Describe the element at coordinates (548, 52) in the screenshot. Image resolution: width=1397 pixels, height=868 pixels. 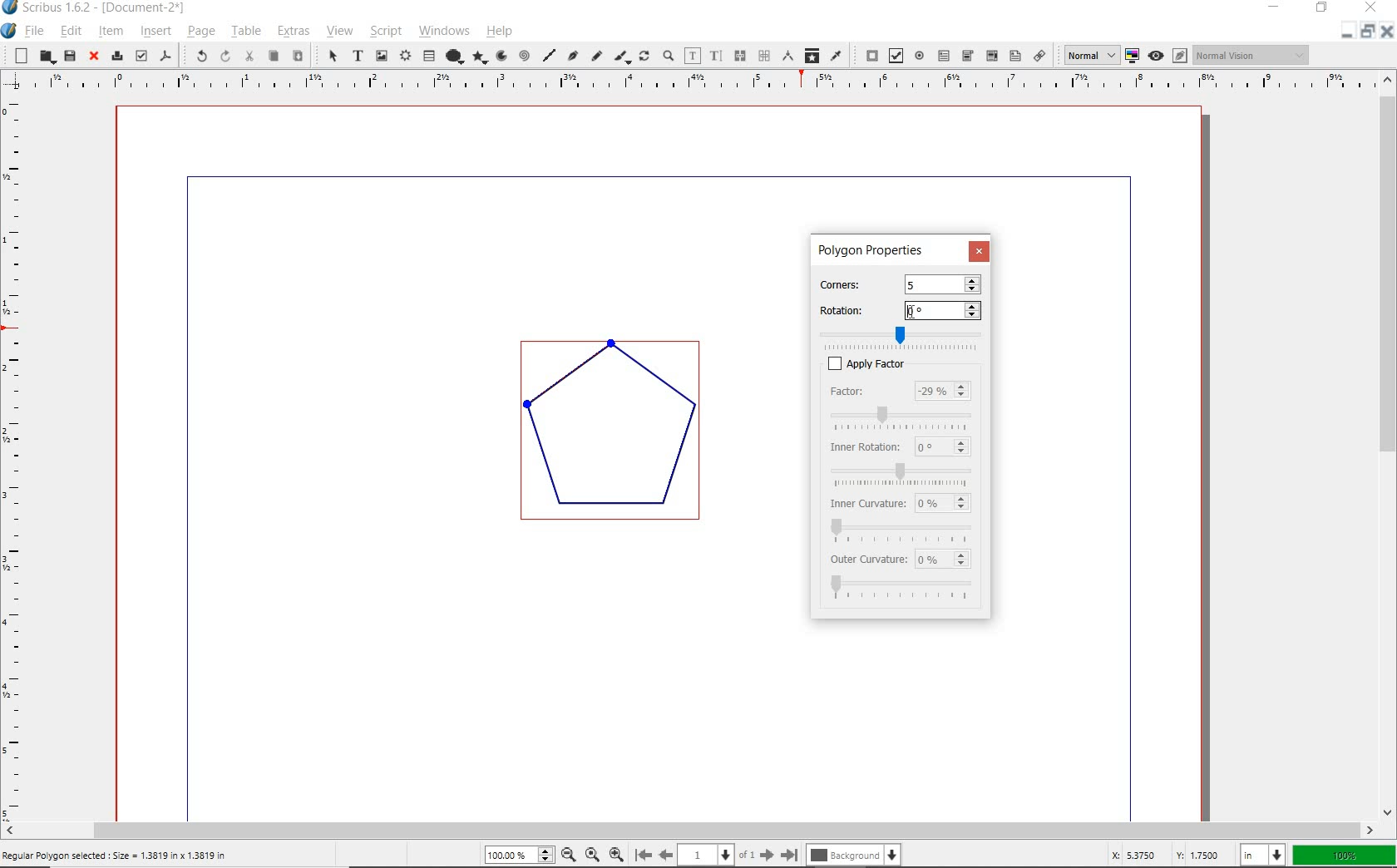
I see `line` at that location.